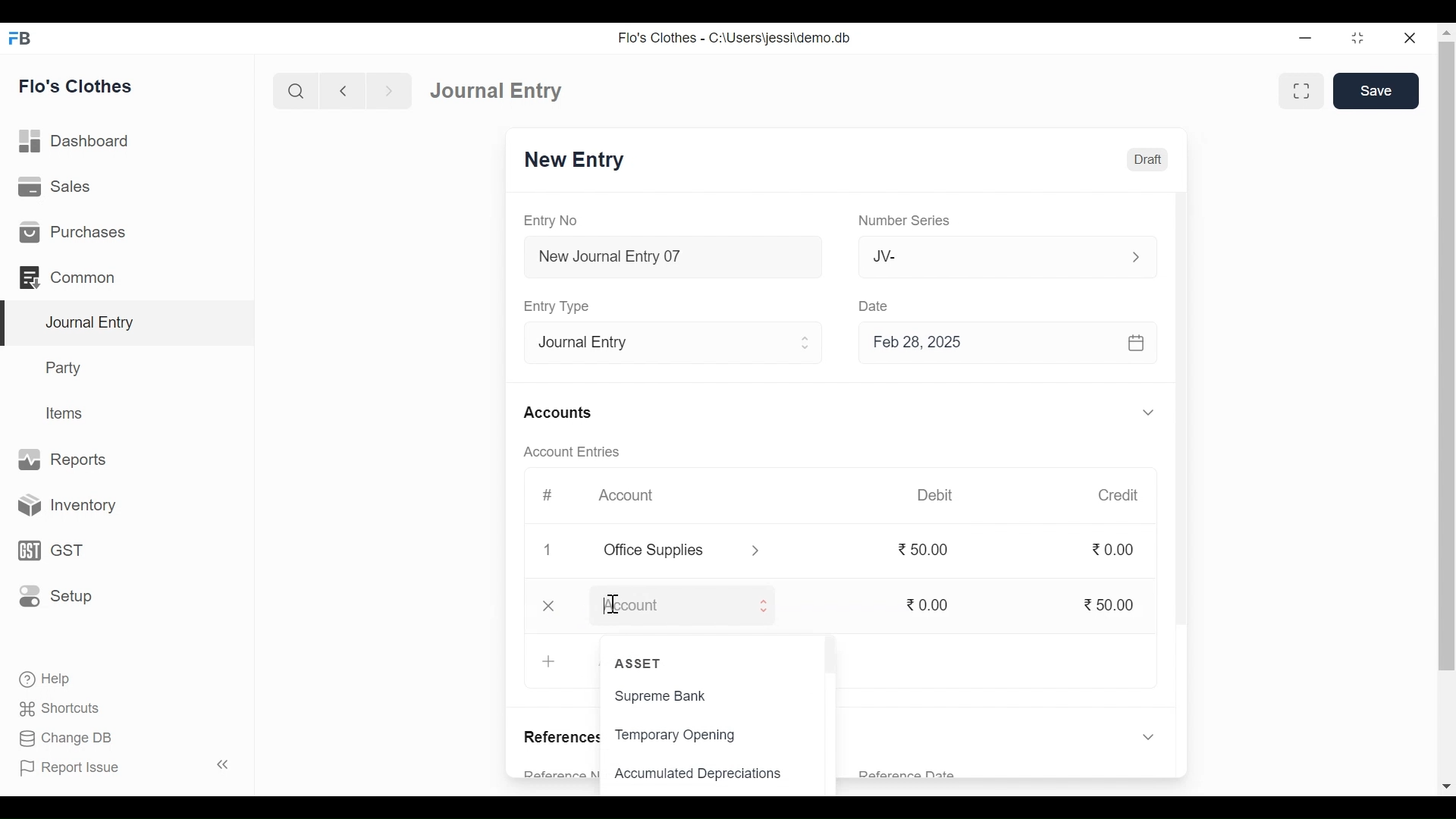 This screenshot has width=1456, height=819. Describe the element at coordinates (76, 86) in the screenshot. I see `Flo's Clothes` at that location.